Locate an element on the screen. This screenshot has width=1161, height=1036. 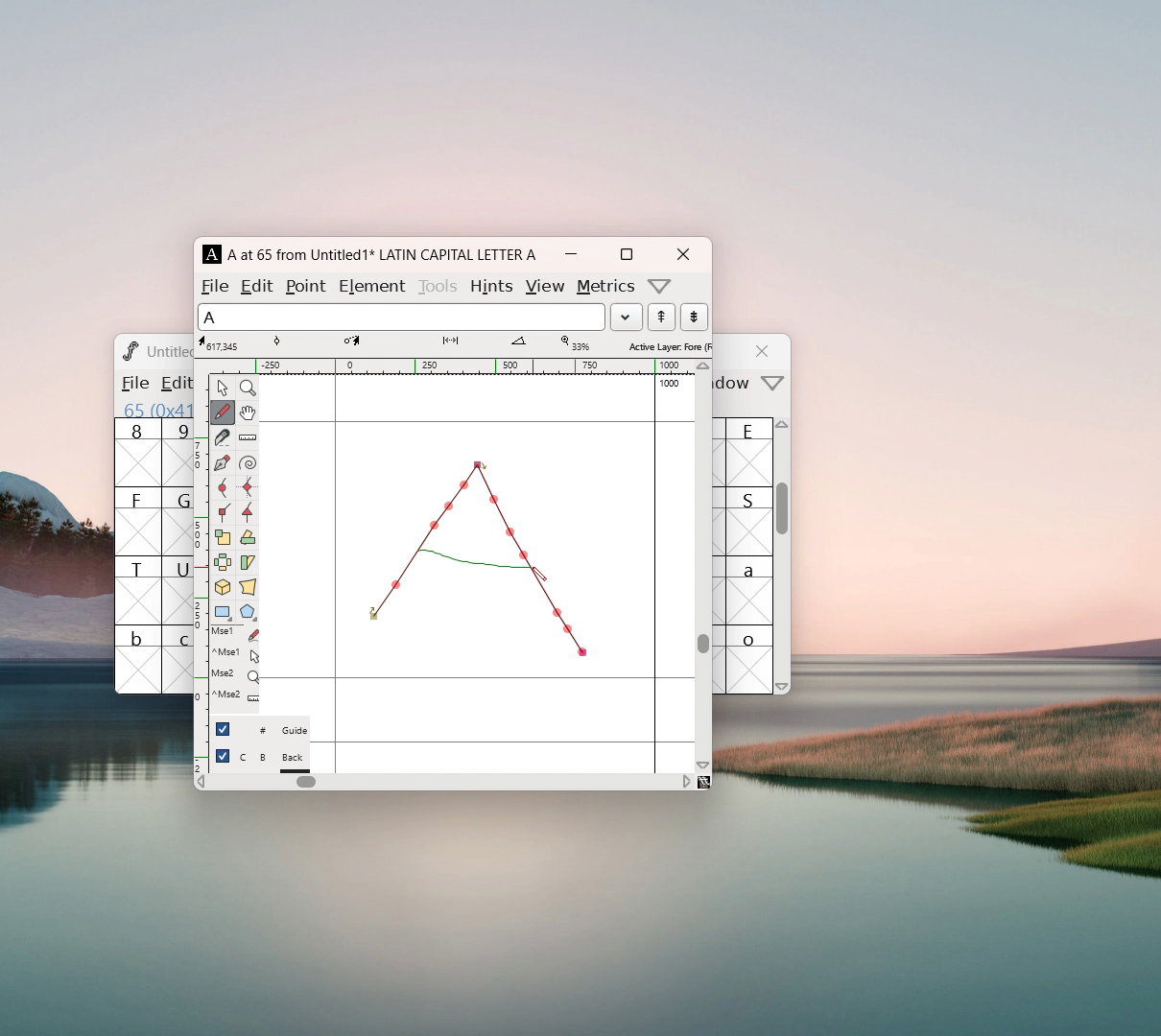
cursor is located at coordinates (538, 577).